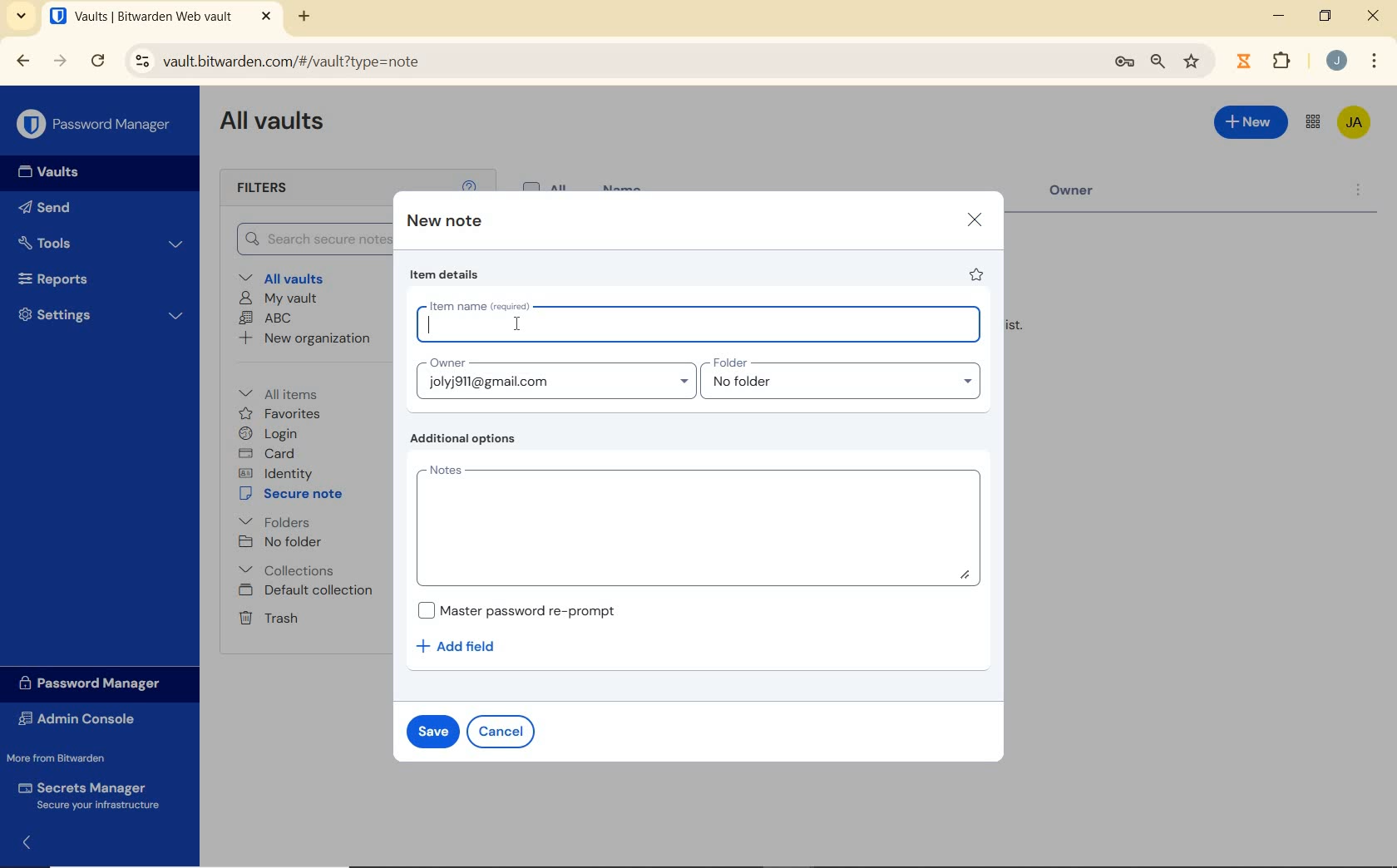  I want to click on favorite, so click(978, 274).